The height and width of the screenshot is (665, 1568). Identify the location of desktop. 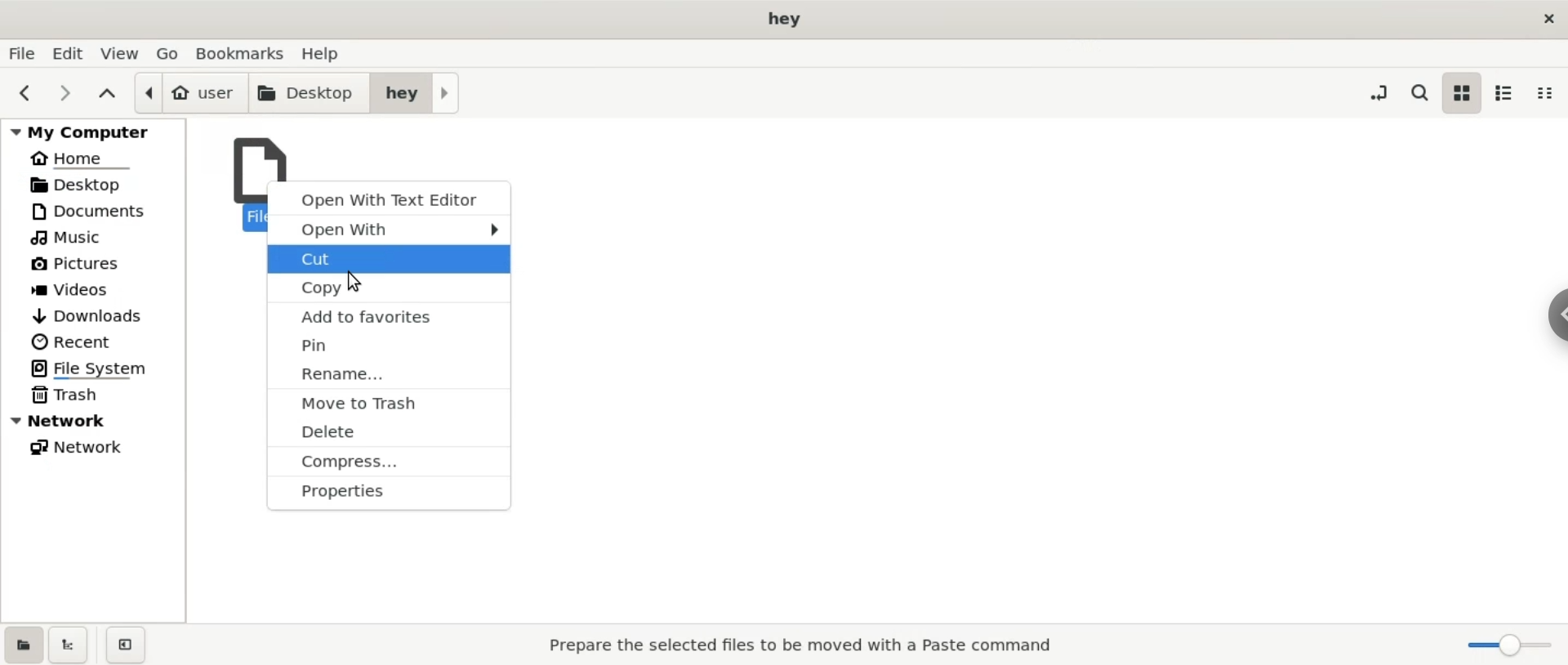
(304, 93).